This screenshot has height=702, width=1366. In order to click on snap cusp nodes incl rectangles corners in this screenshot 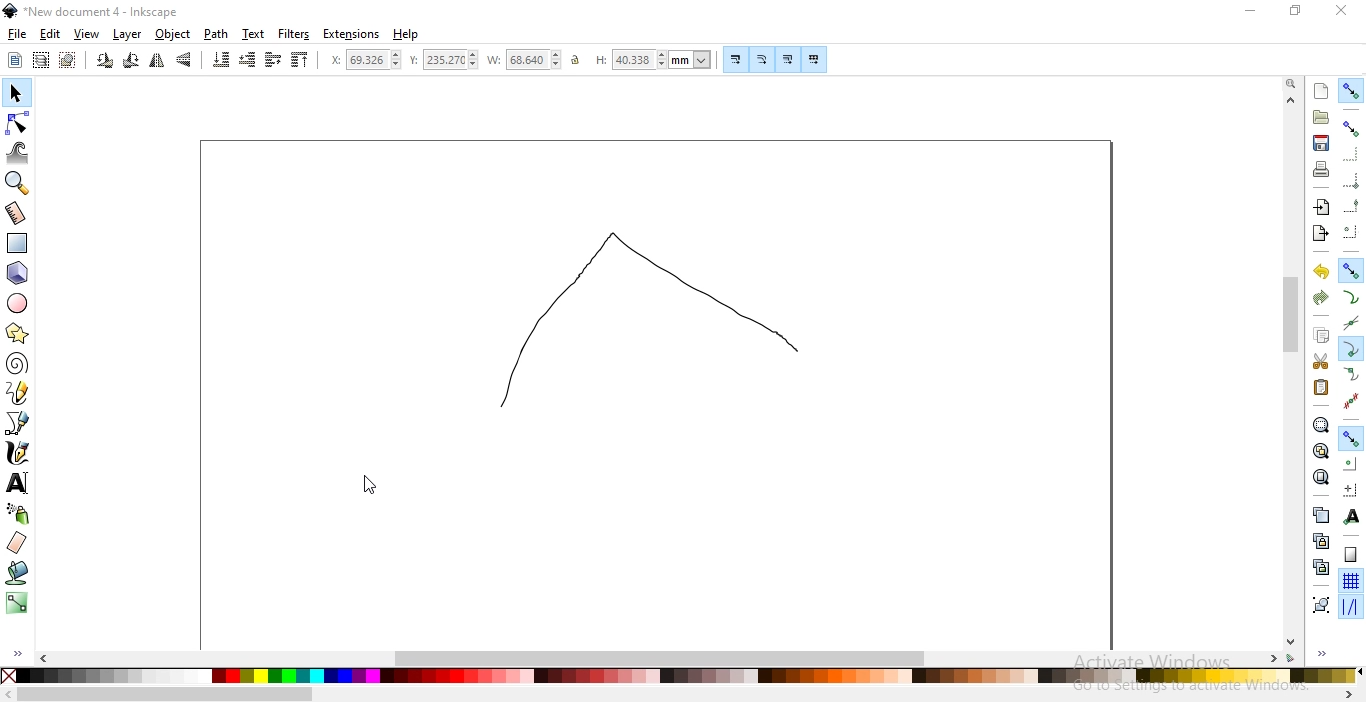, I will do `click(1350, 349)`.